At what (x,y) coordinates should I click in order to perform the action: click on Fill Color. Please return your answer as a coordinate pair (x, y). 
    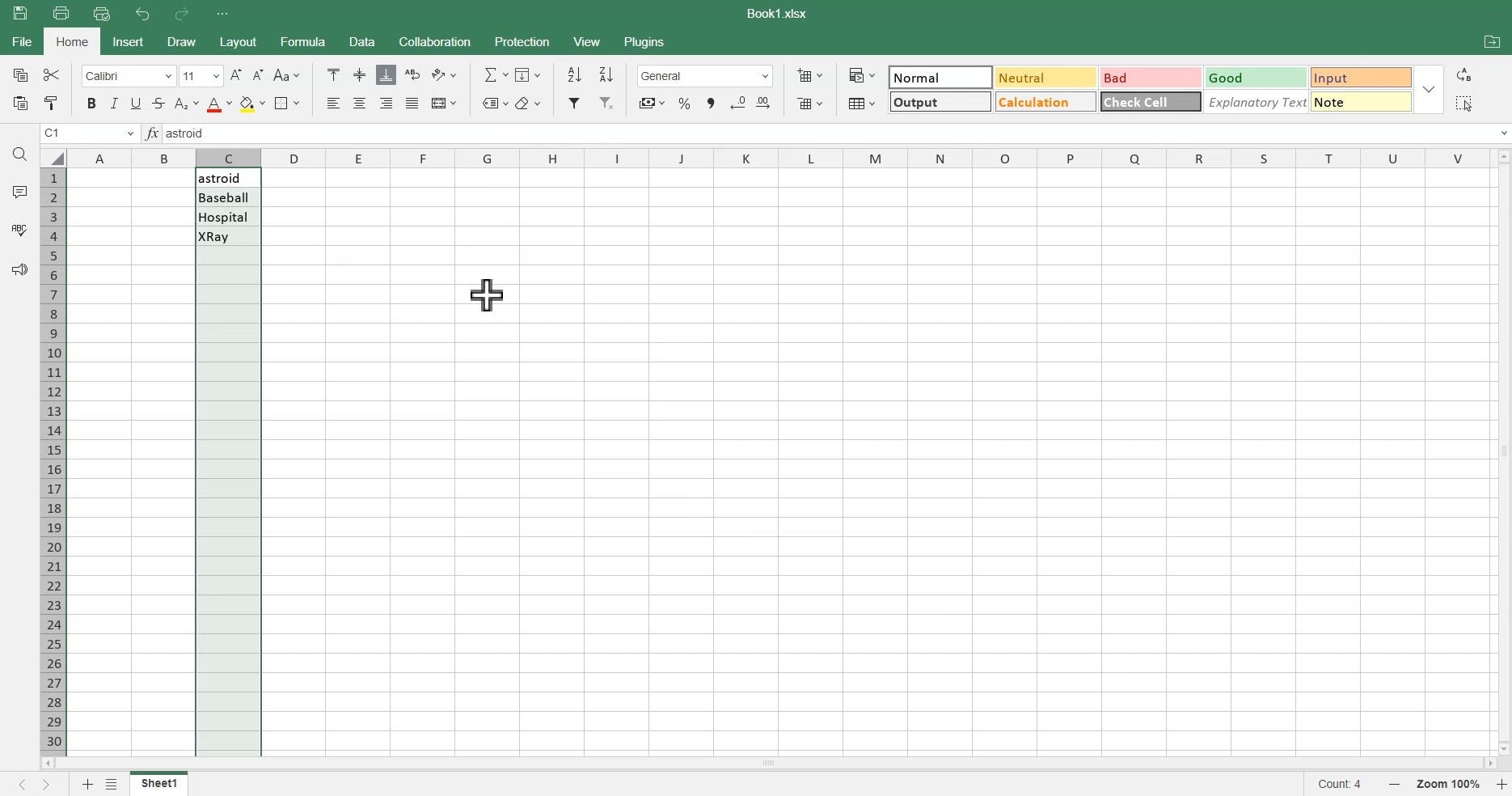
    Looking at the image, I should click on (251, 103).